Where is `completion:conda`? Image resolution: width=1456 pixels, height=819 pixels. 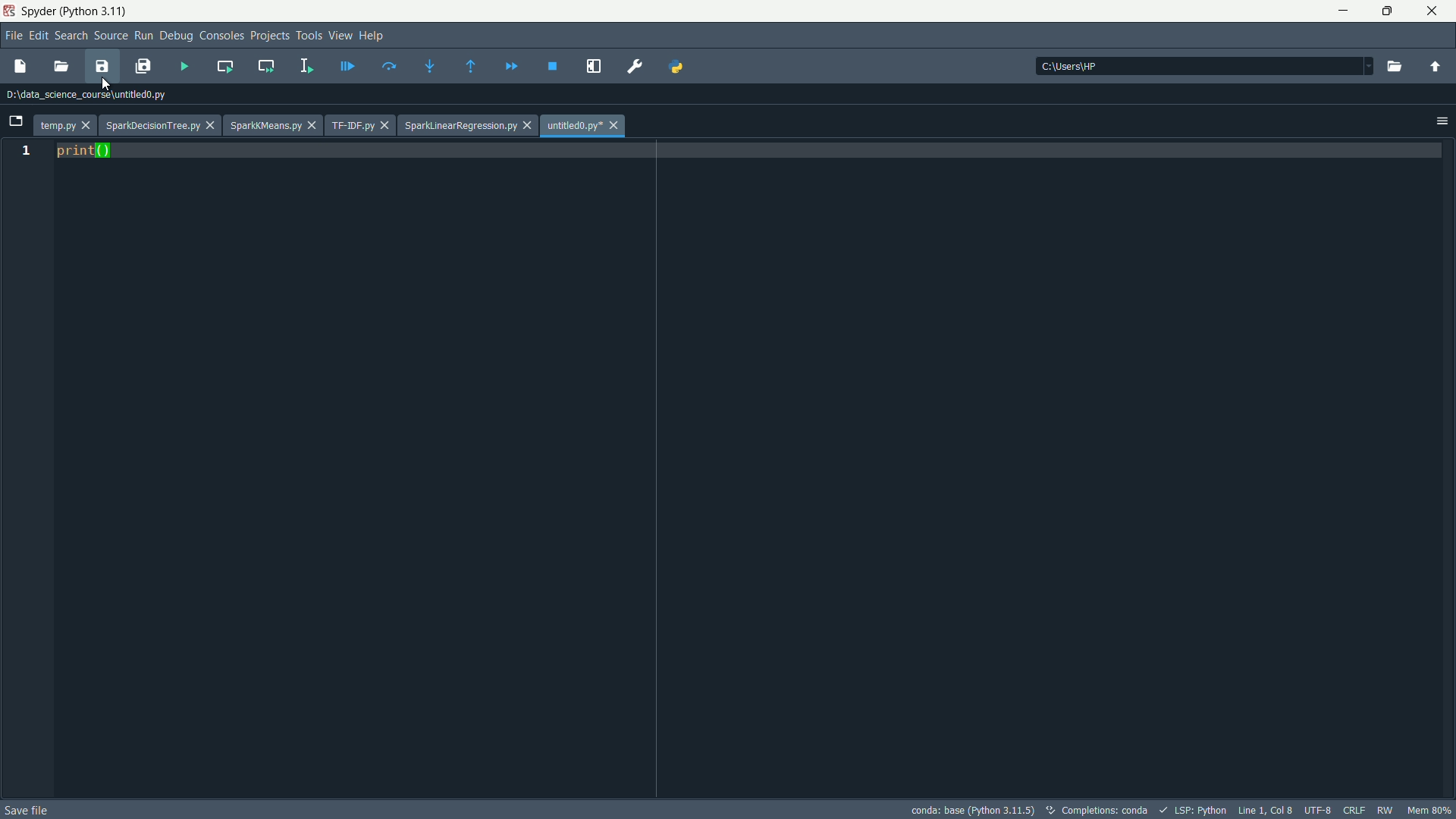
completion:conda is located at coordinates (1097, 810).